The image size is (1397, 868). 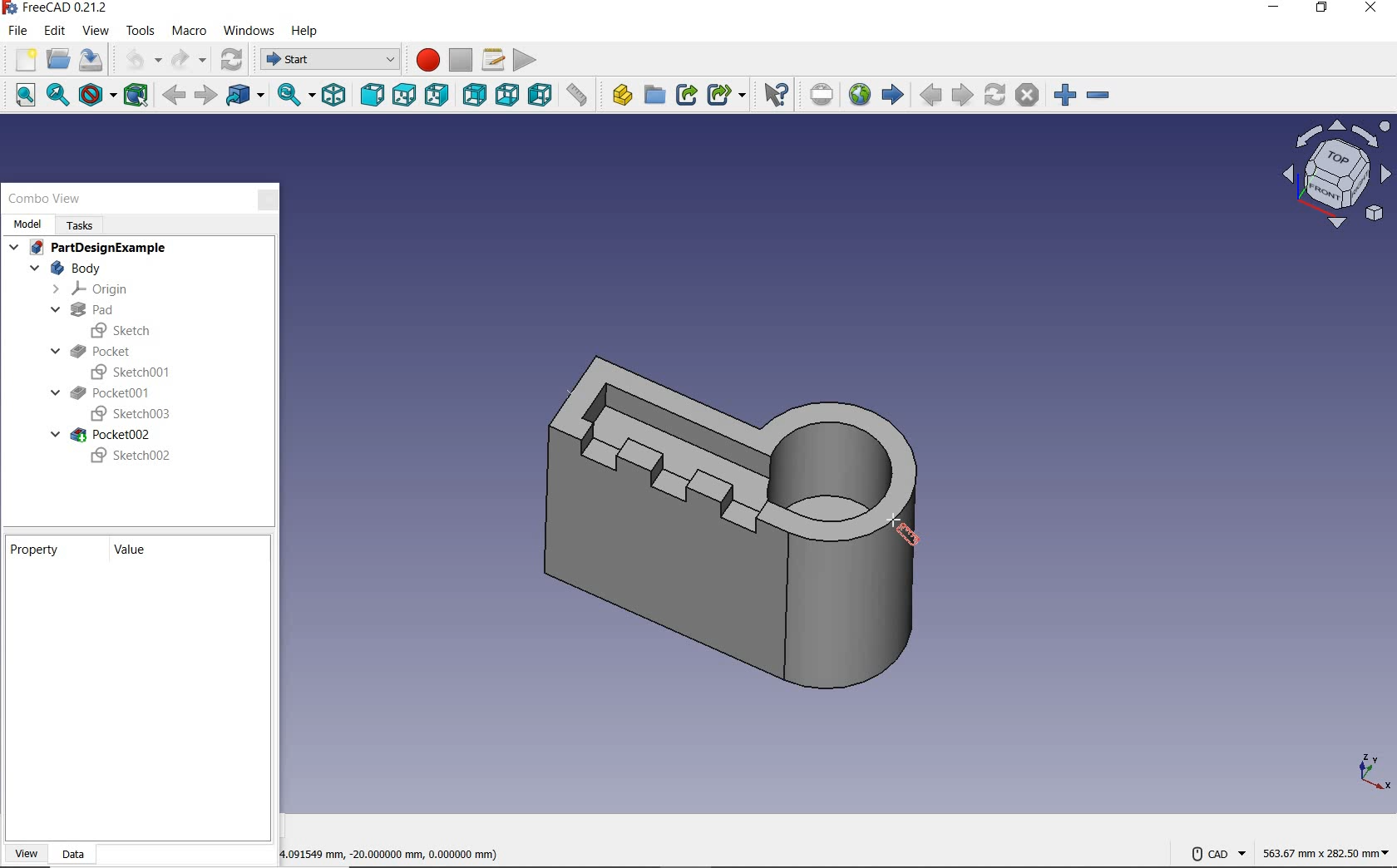 What do you see at coordinates (686, 95) in the screenshot?
I see `make link` at bounding box center [686, 95].